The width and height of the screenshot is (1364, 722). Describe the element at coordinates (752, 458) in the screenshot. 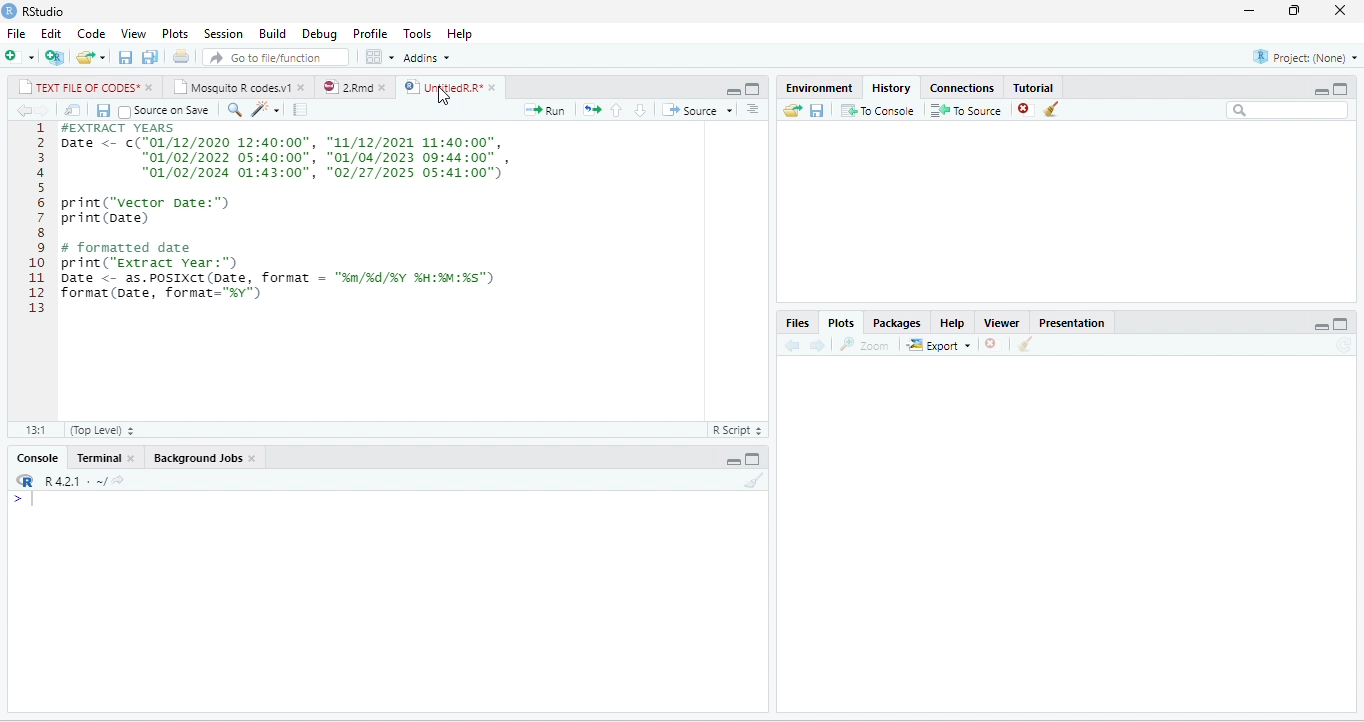

I see `maximize` at that location.